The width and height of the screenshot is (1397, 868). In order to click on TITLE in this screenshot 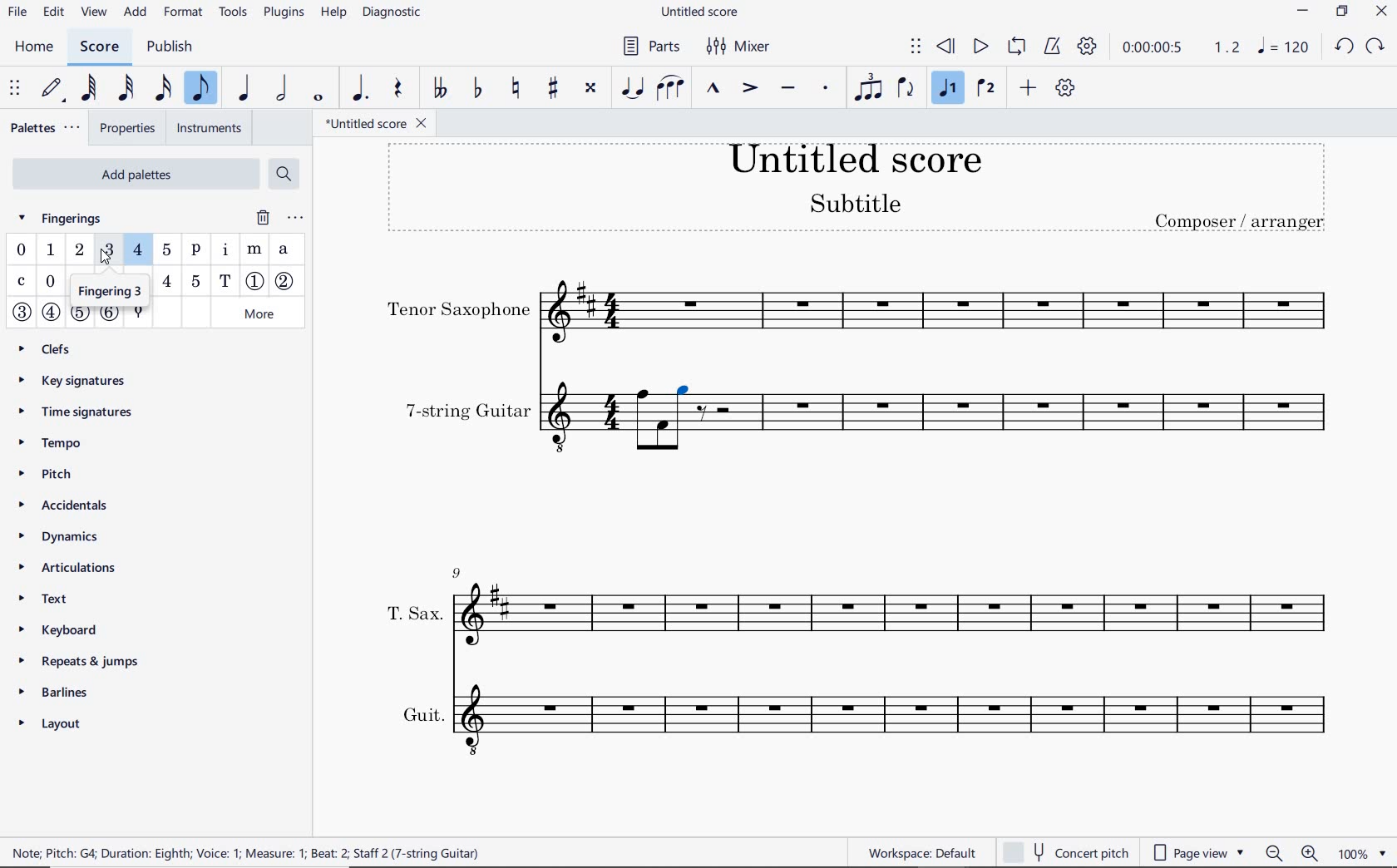, I will do `click(856, 189)`.